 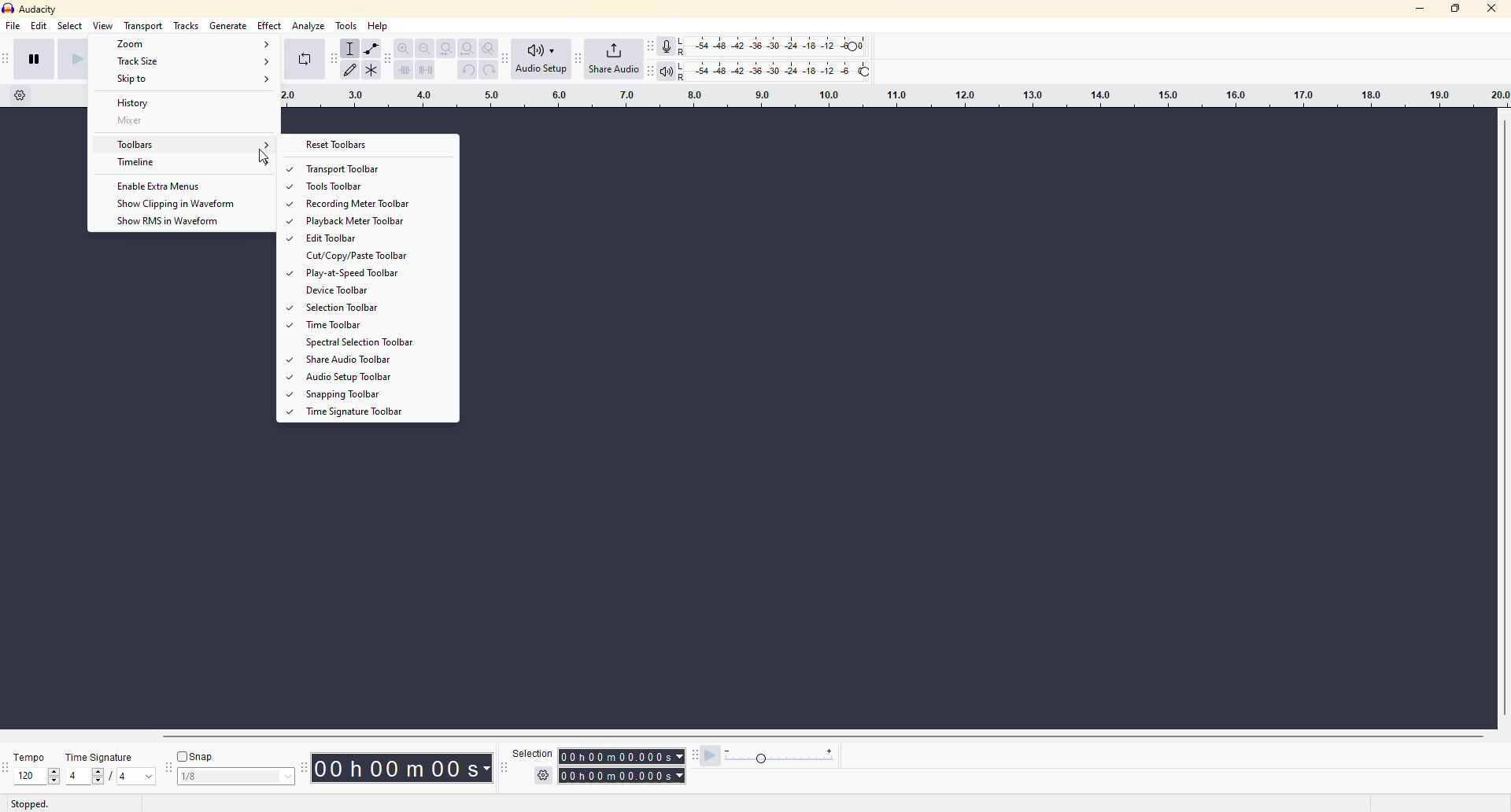 I want to click on reset toolbars, so click(x=343, y=145).